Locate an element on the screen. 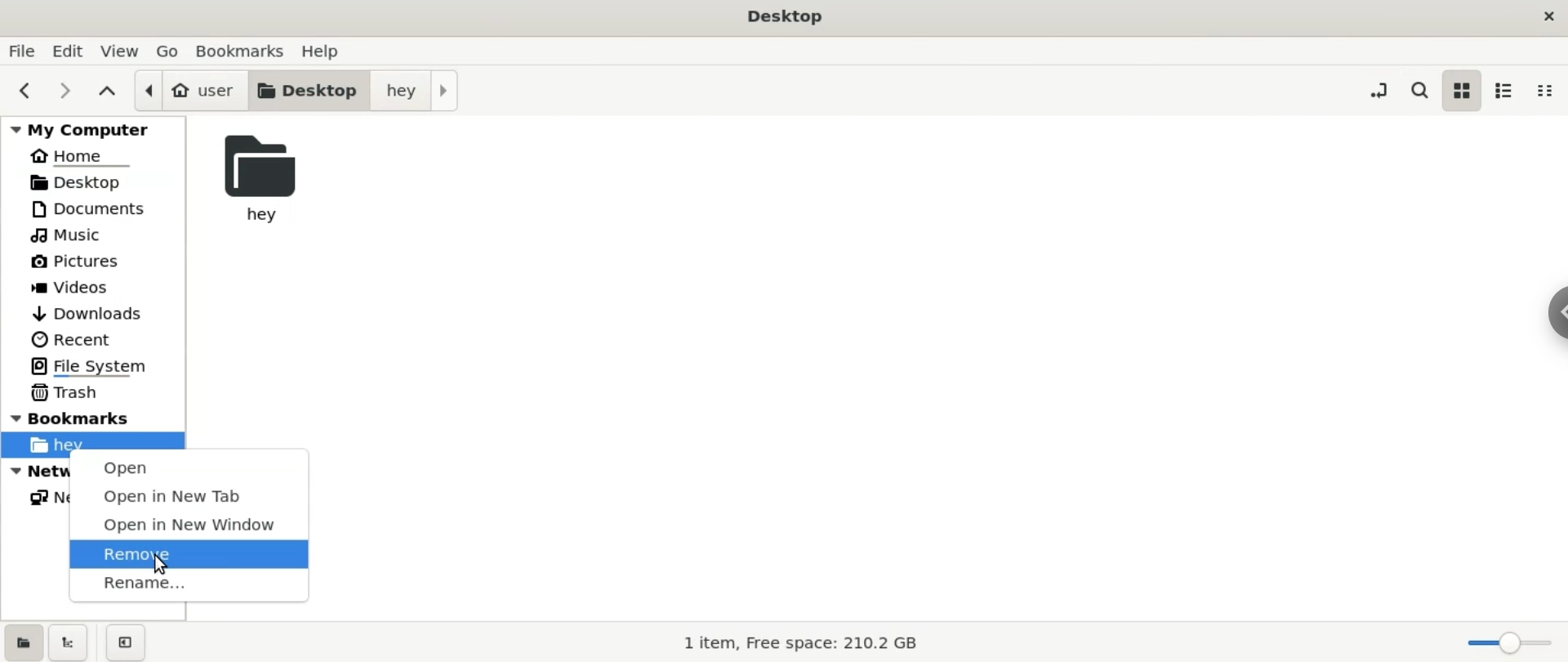 This screenshot has width=1568, height=662. trash is located at coordinates (69, 393).